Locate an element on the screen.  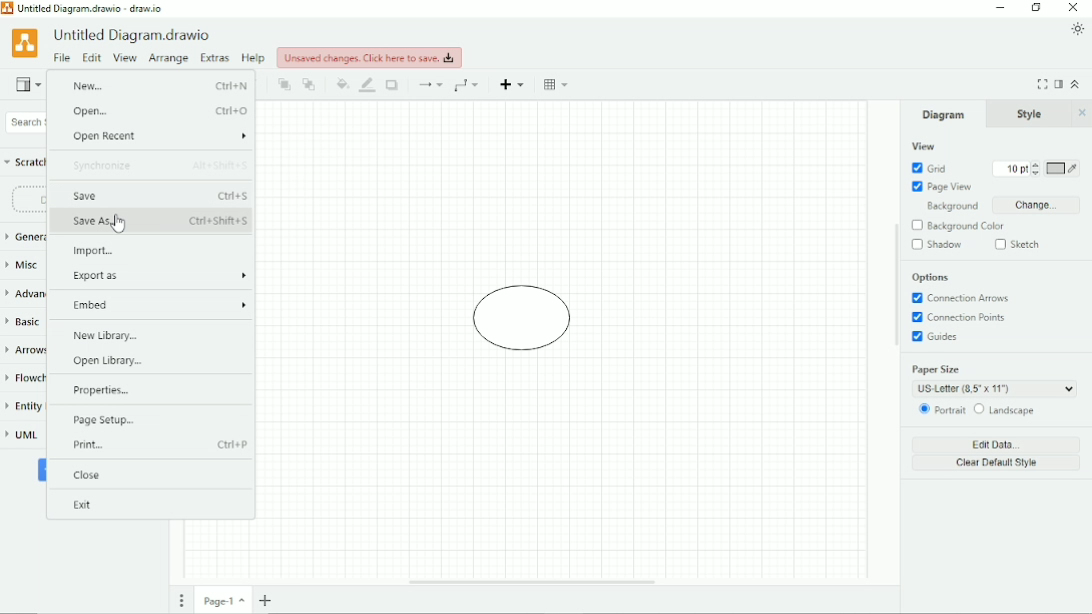
Restore down is located at coordinates (1036, 8).